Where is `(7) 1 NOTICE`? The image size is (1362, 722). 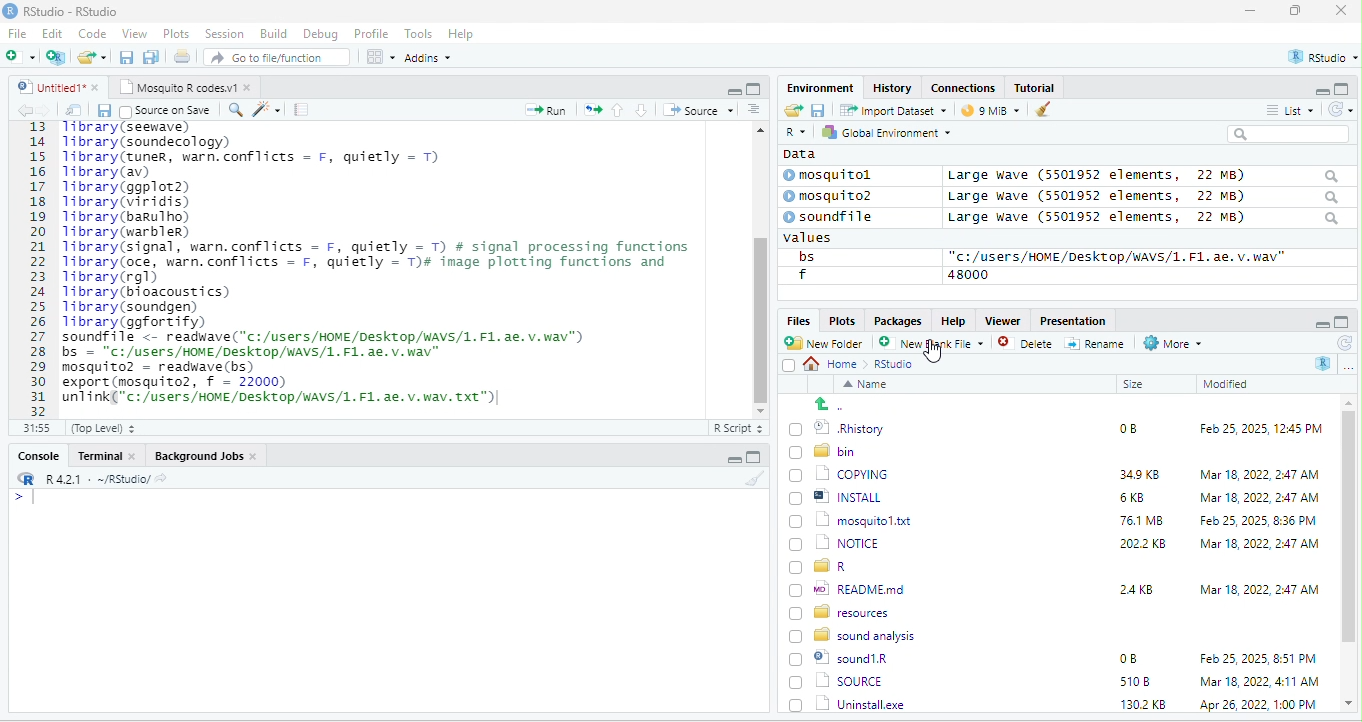
(7) 1 NOTICE is located at coordinates (832, 544).